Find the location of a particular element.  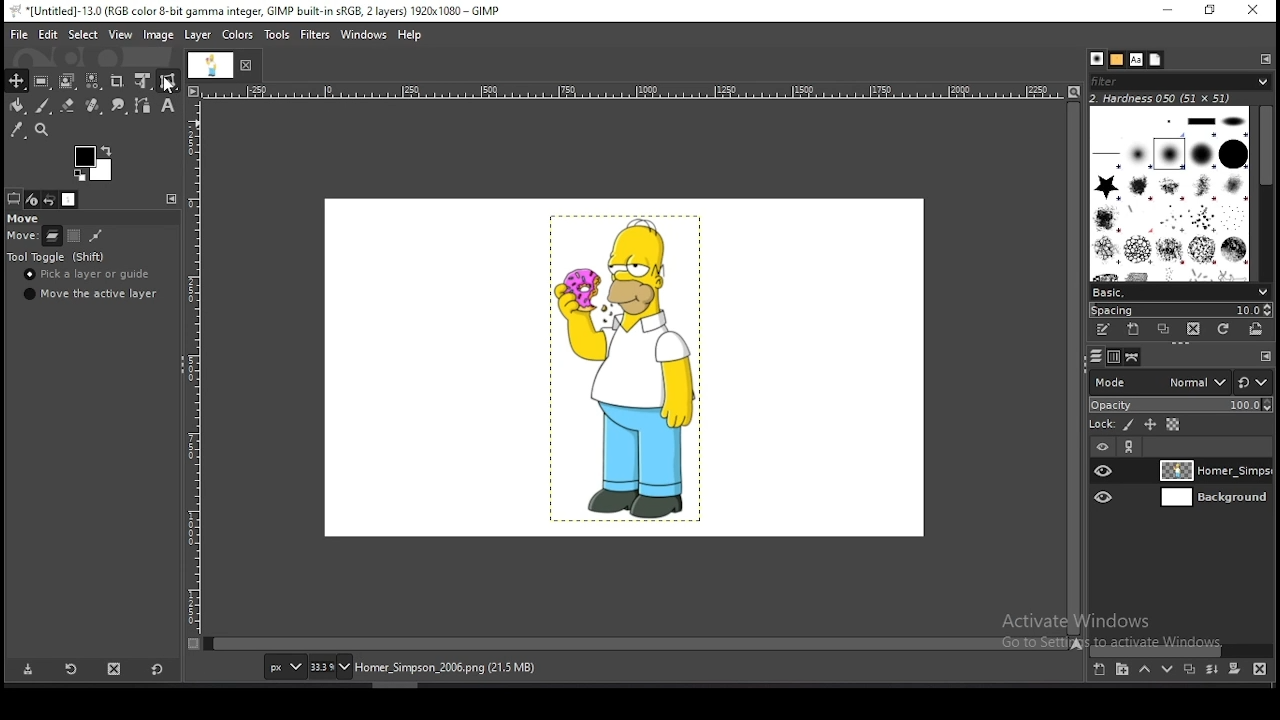

move tool is located at coordinates (17, 81).